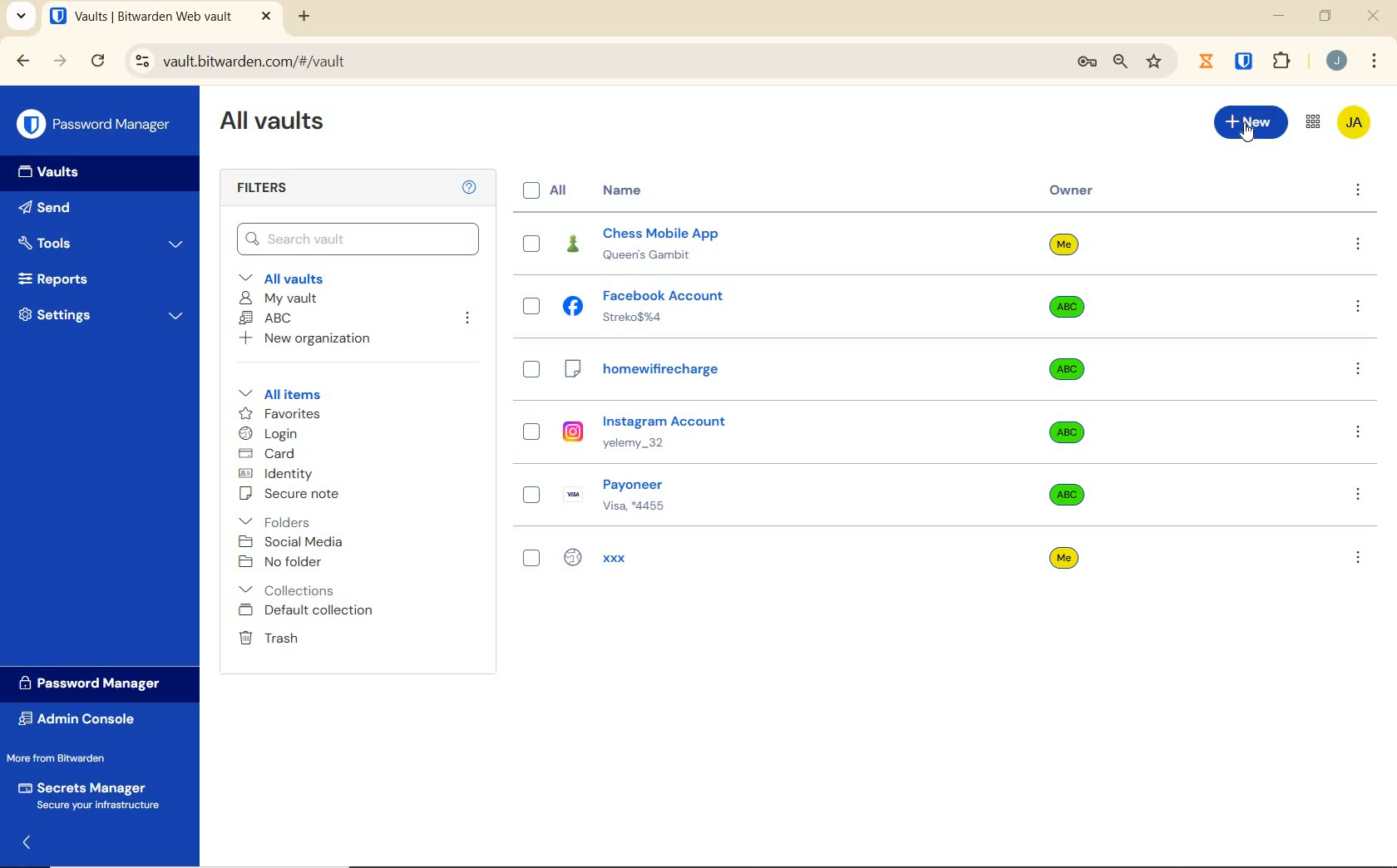 This screenshot has height=868, width=1397. Describe the element at coordinates (1361, 557) in the screenshot. I see `more options` at that location.